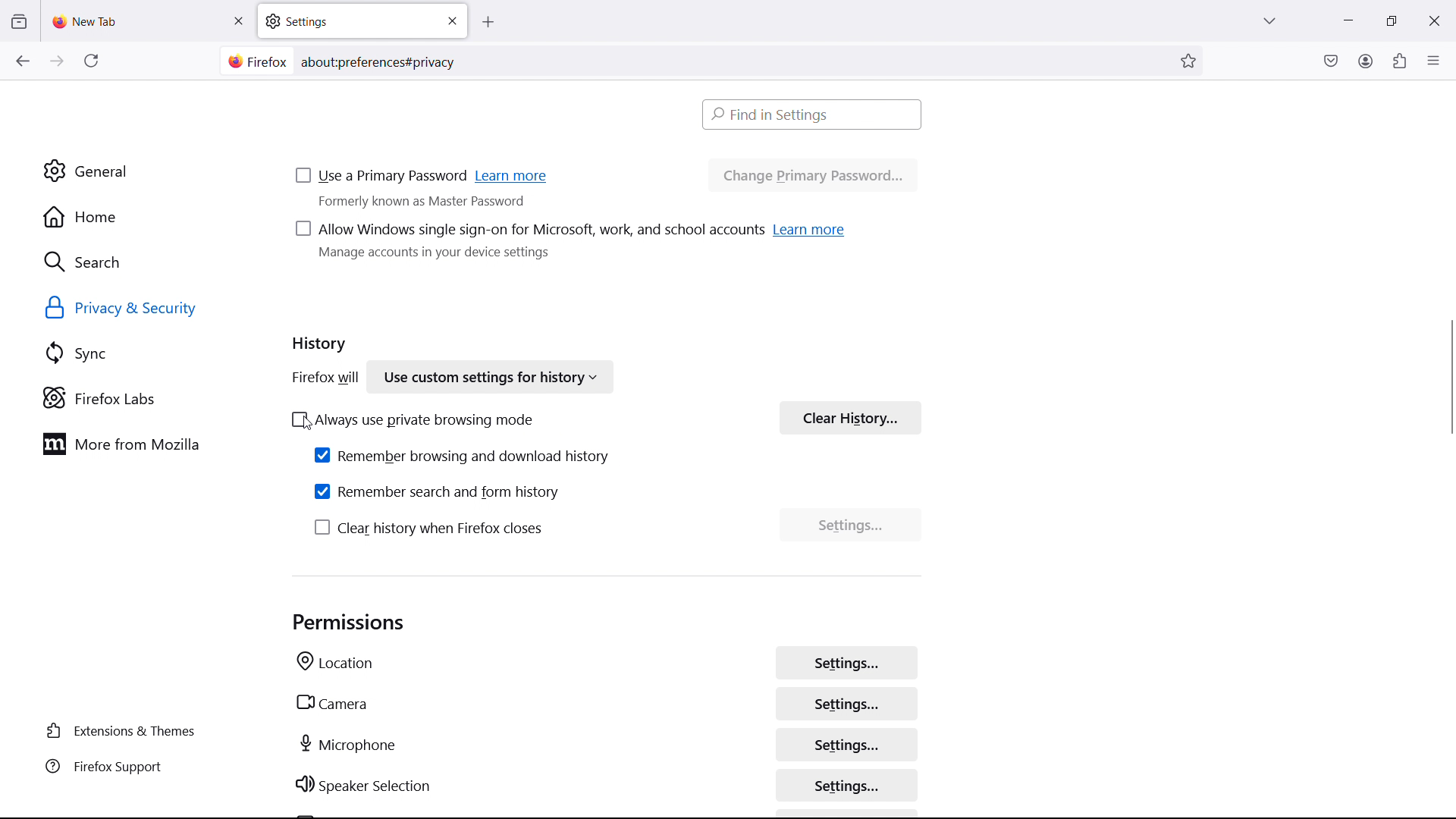  What do you see at coordinates (320, 347) in the screenshot?
I see `history` at bounding box center [320, 347].